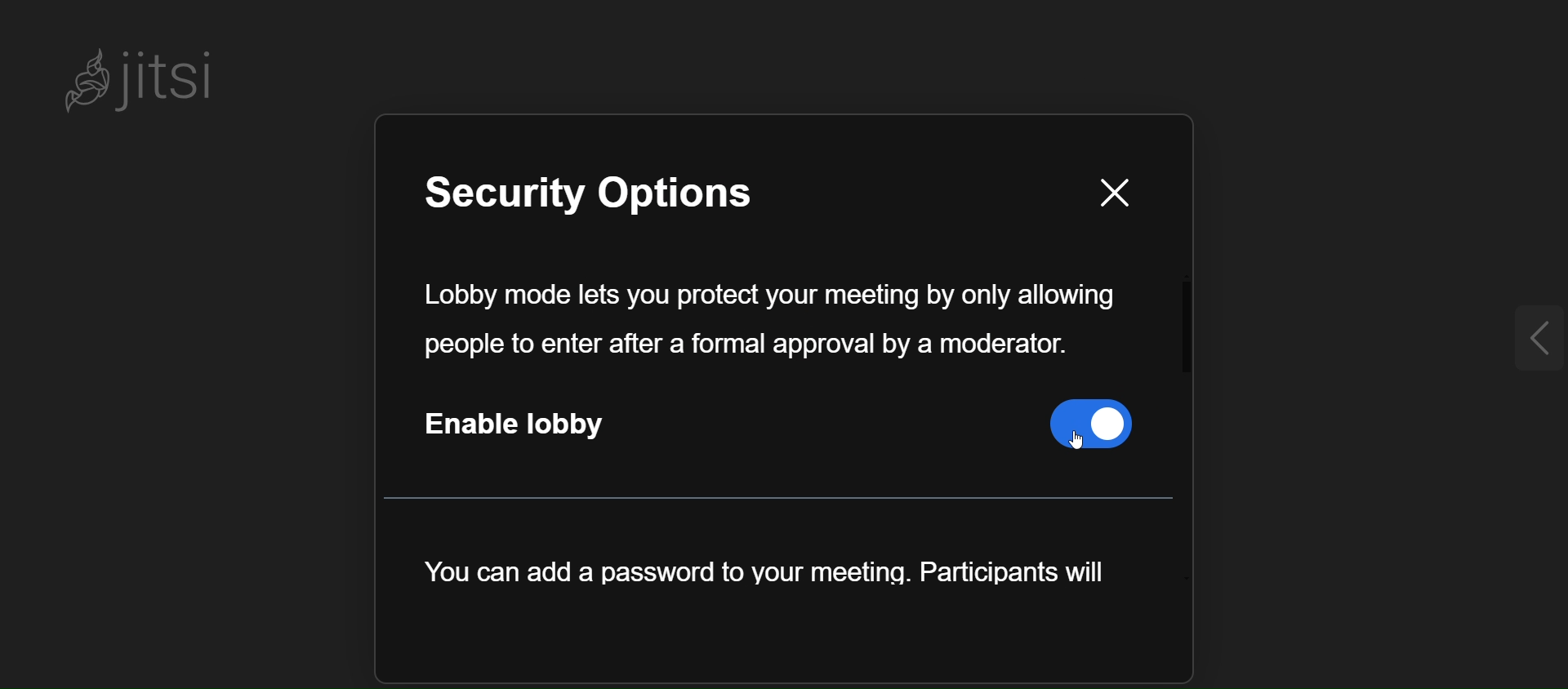 The height and width of the screenshot is (689, 1568). What do you see at coordinates (1099, 192) in the screenshot?
I see `close` at bounding box center [1099, 192].